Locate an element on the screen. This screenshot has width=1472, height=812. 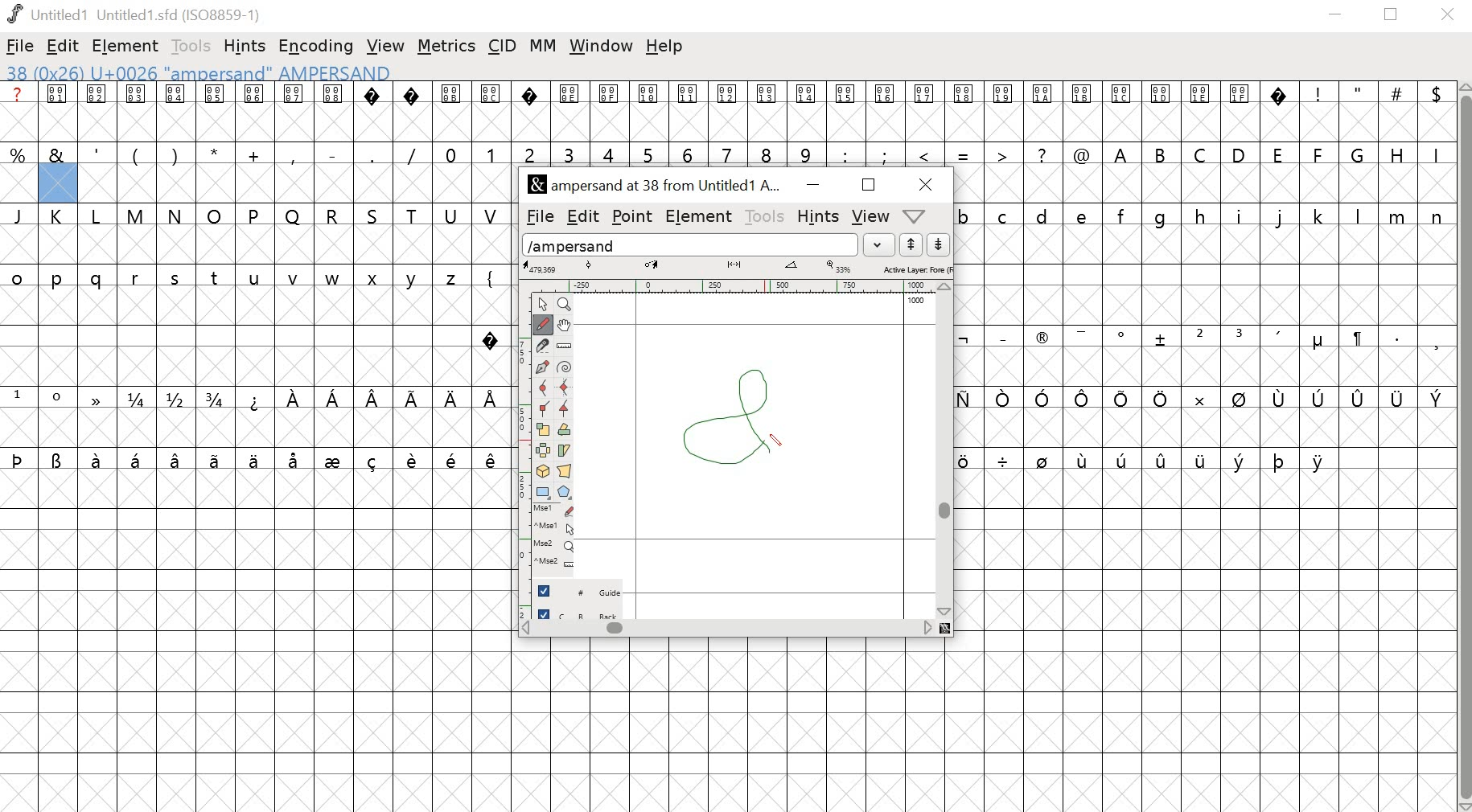
symbol is located at coordinates (1240, 459).